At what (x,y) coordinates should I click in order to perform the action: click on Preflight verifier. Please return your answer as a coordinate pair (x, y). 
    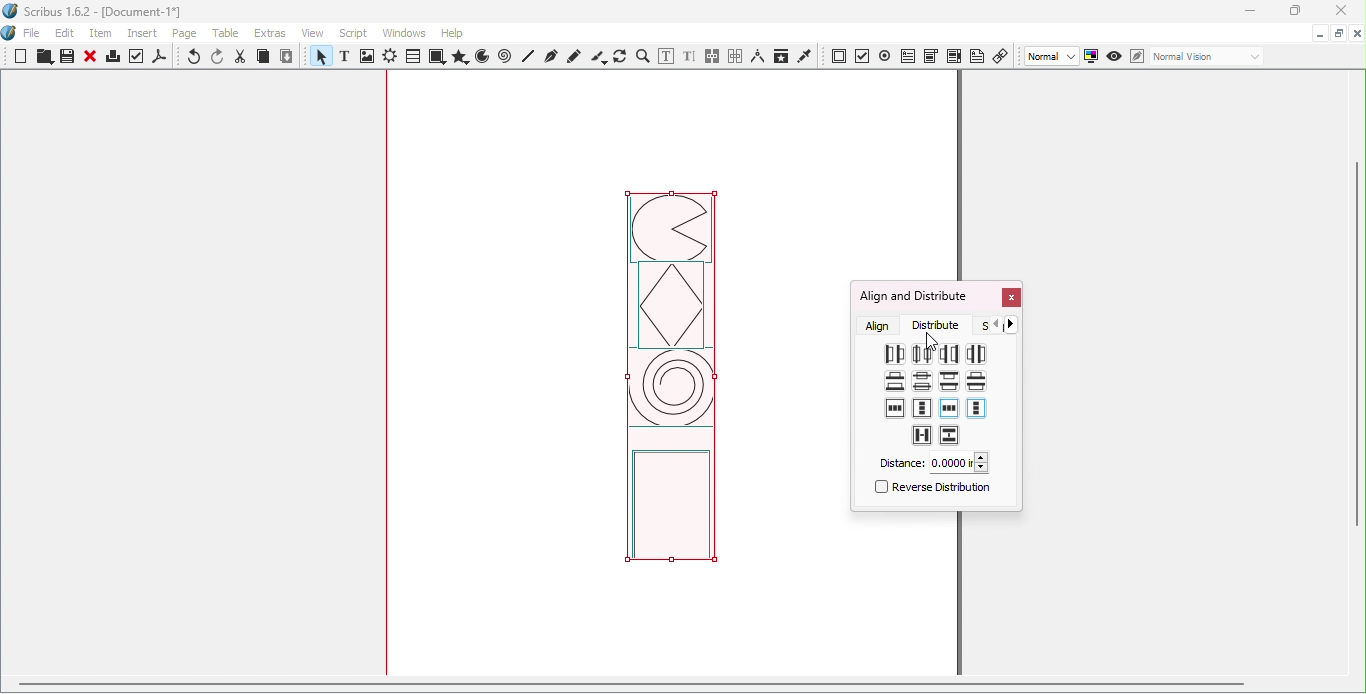
    Looking at the image, I should click on (137, 59).